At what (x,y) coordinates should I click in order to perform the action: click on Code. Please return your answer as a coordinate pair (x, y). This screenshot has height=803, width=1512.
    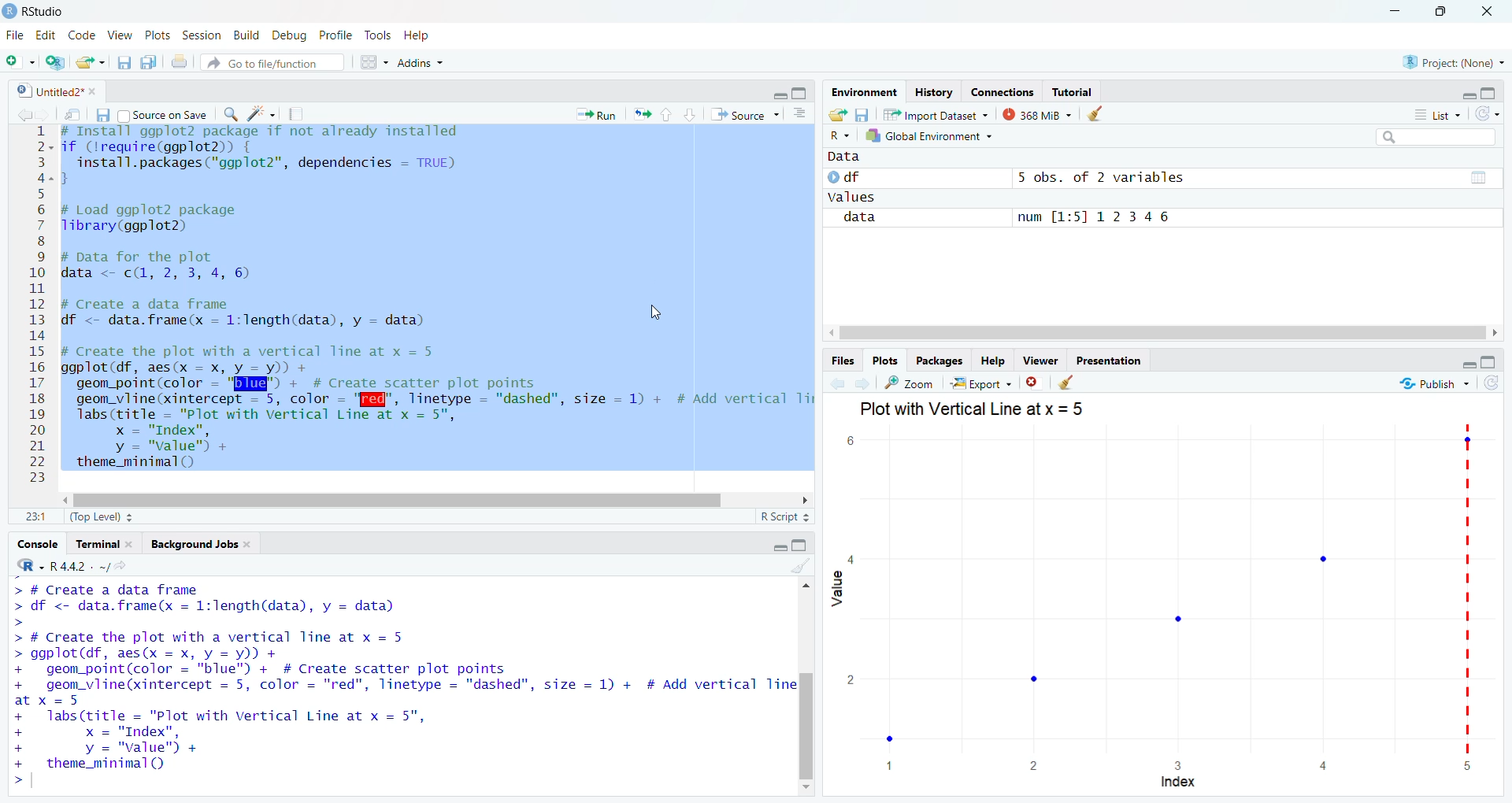
    Looking at the image, I should click on (83, 36).